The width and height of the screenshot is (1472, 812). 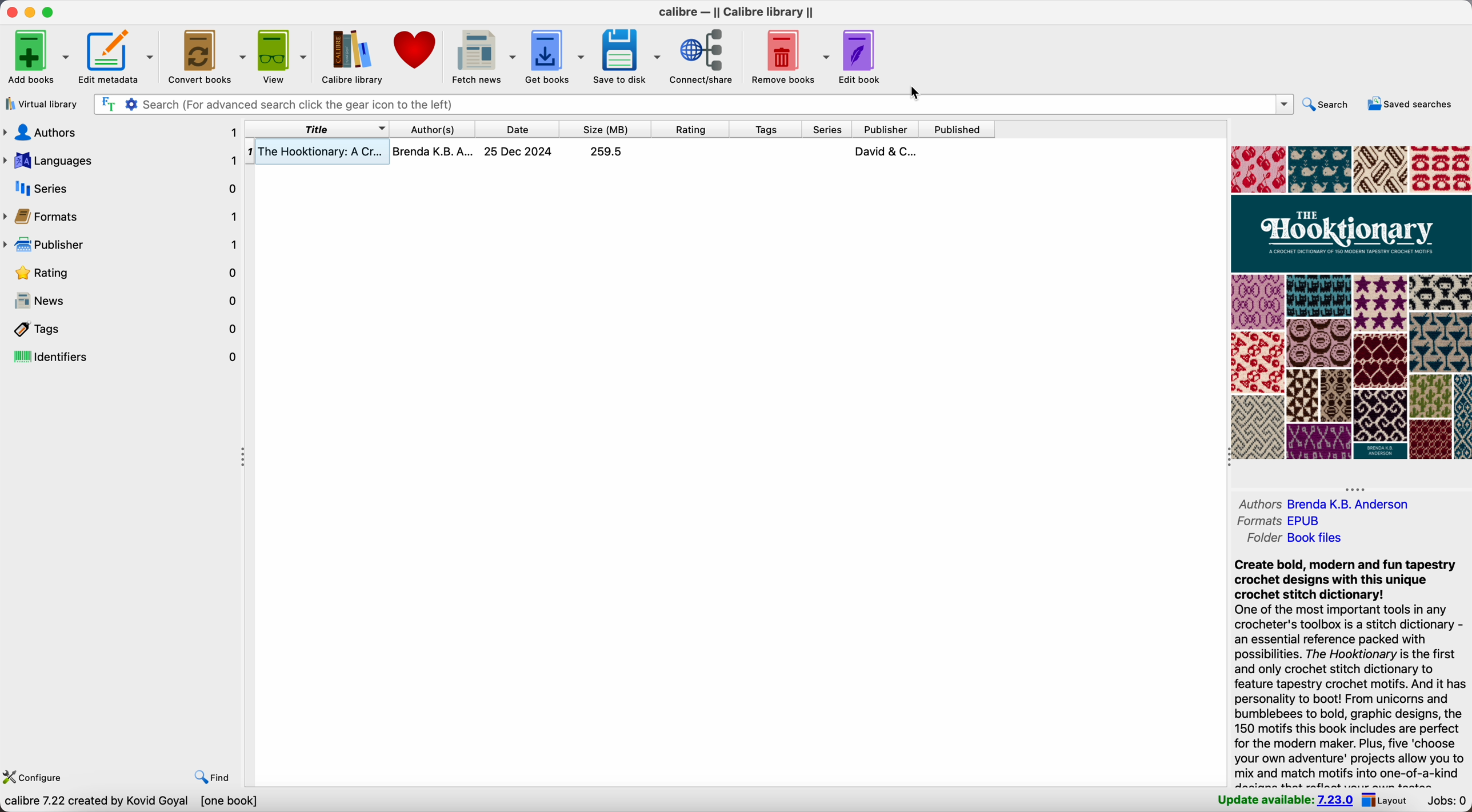 What do you see at coordinates (1413, 105) in the screenshot?
I see `saved searches` at bounding box center [1413, 105].